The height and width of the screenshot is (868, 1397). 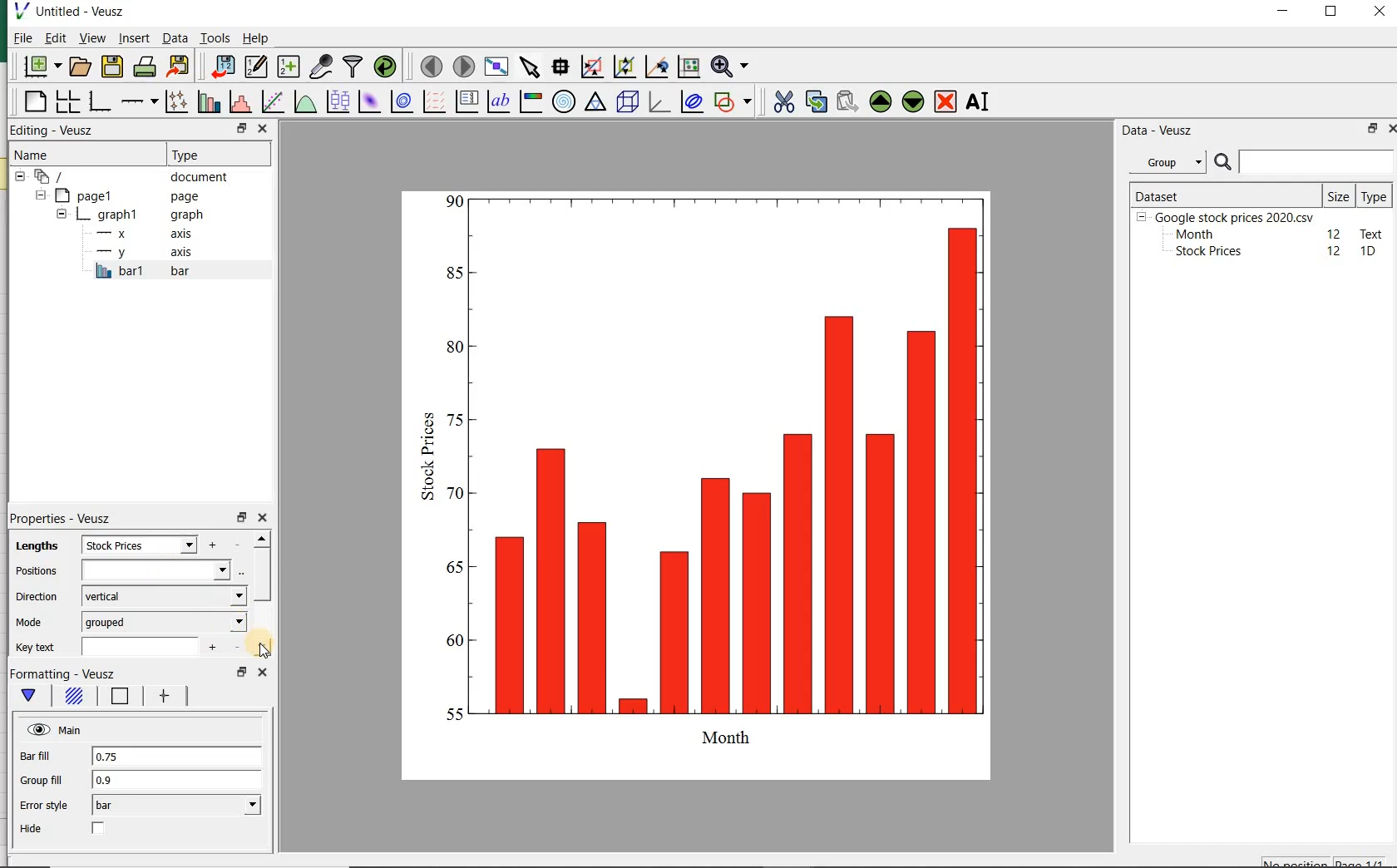 I want to click on Y, so click(x=140, y=545).